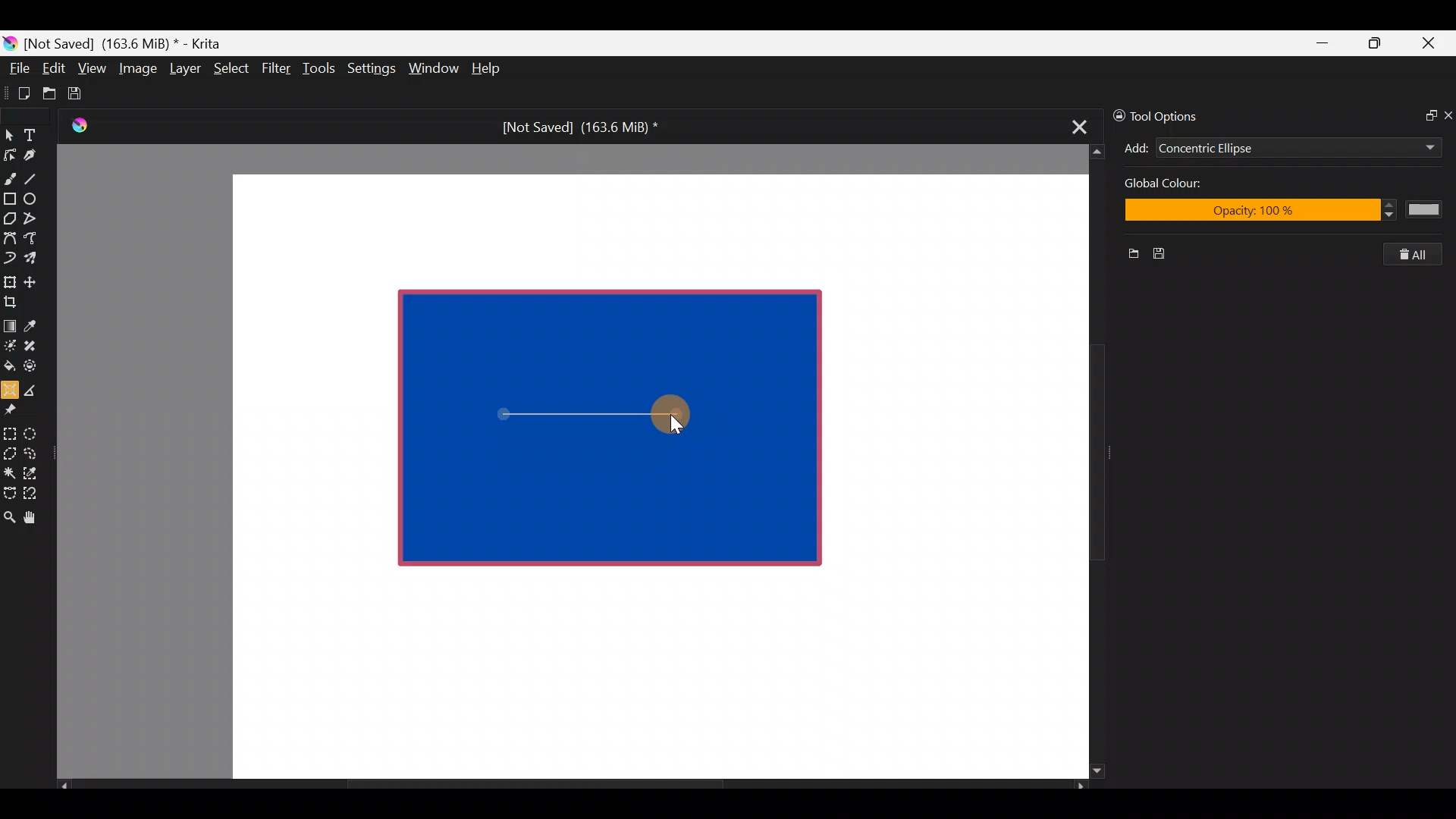 The height and width of the screenshot is (819, 1456). I want to click on Scroll bar, so click(572, 786).